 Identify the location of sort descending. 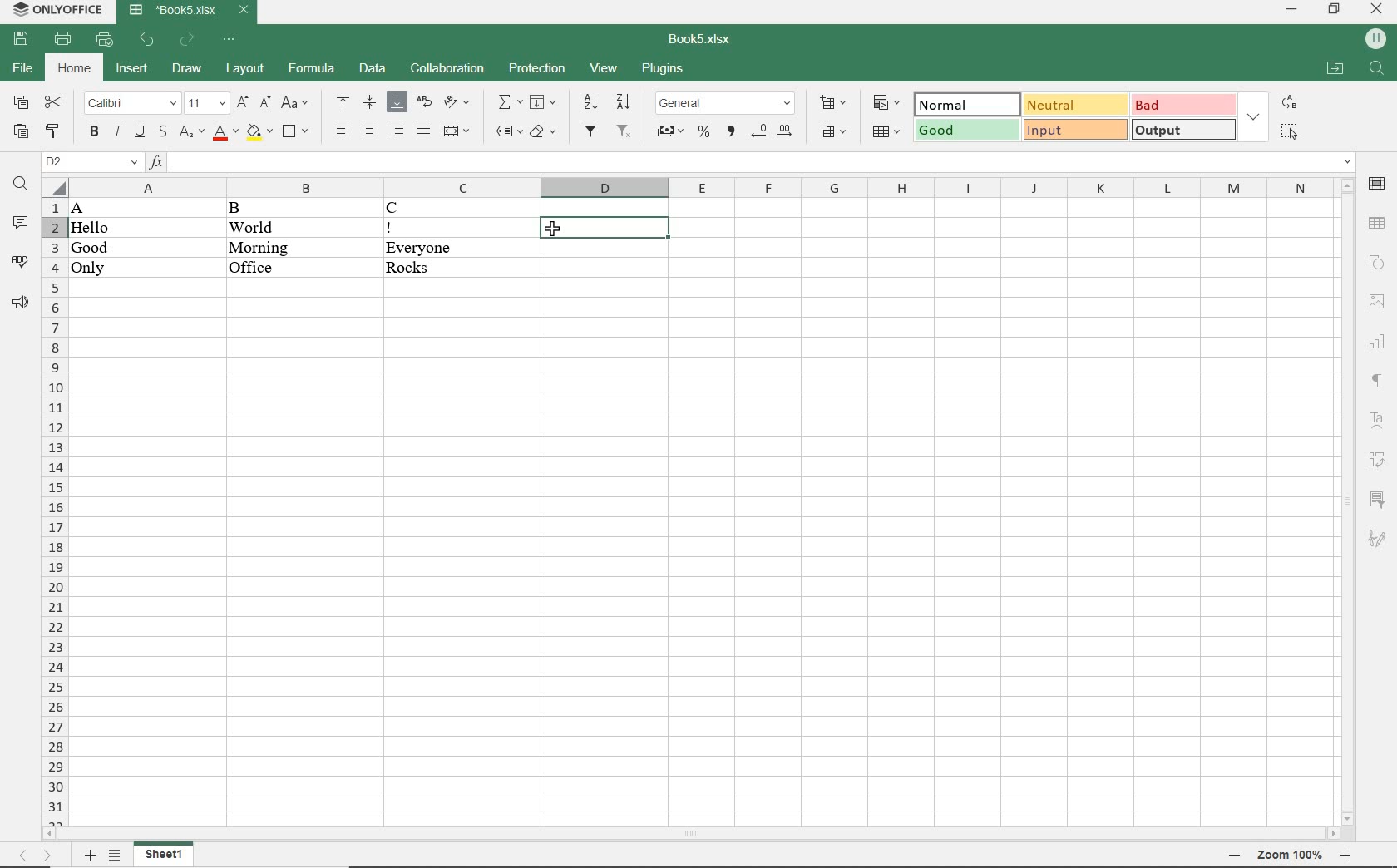
(625, 104).